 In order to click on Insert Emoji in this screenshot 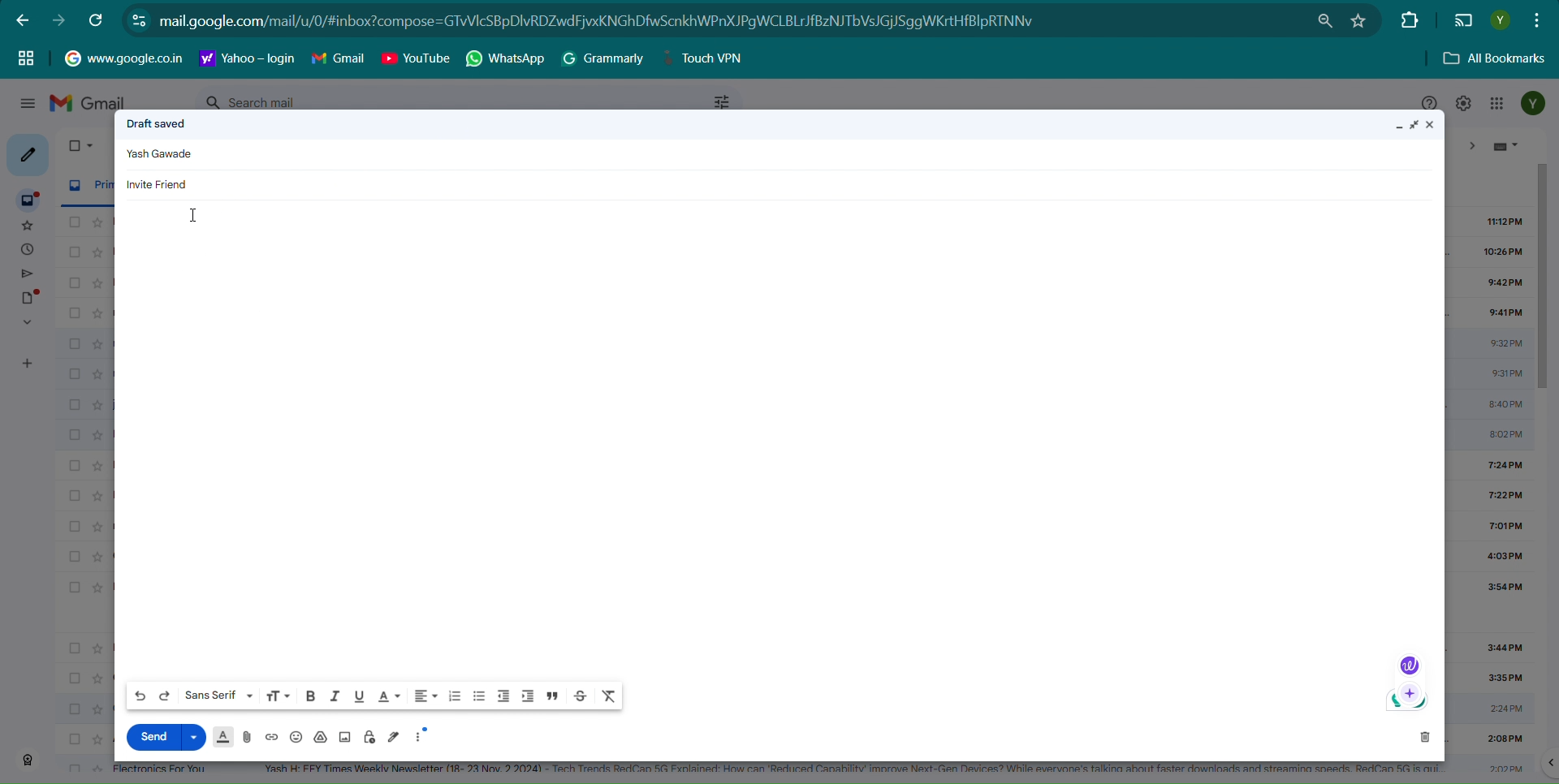, I will do `click(296, 738)`.